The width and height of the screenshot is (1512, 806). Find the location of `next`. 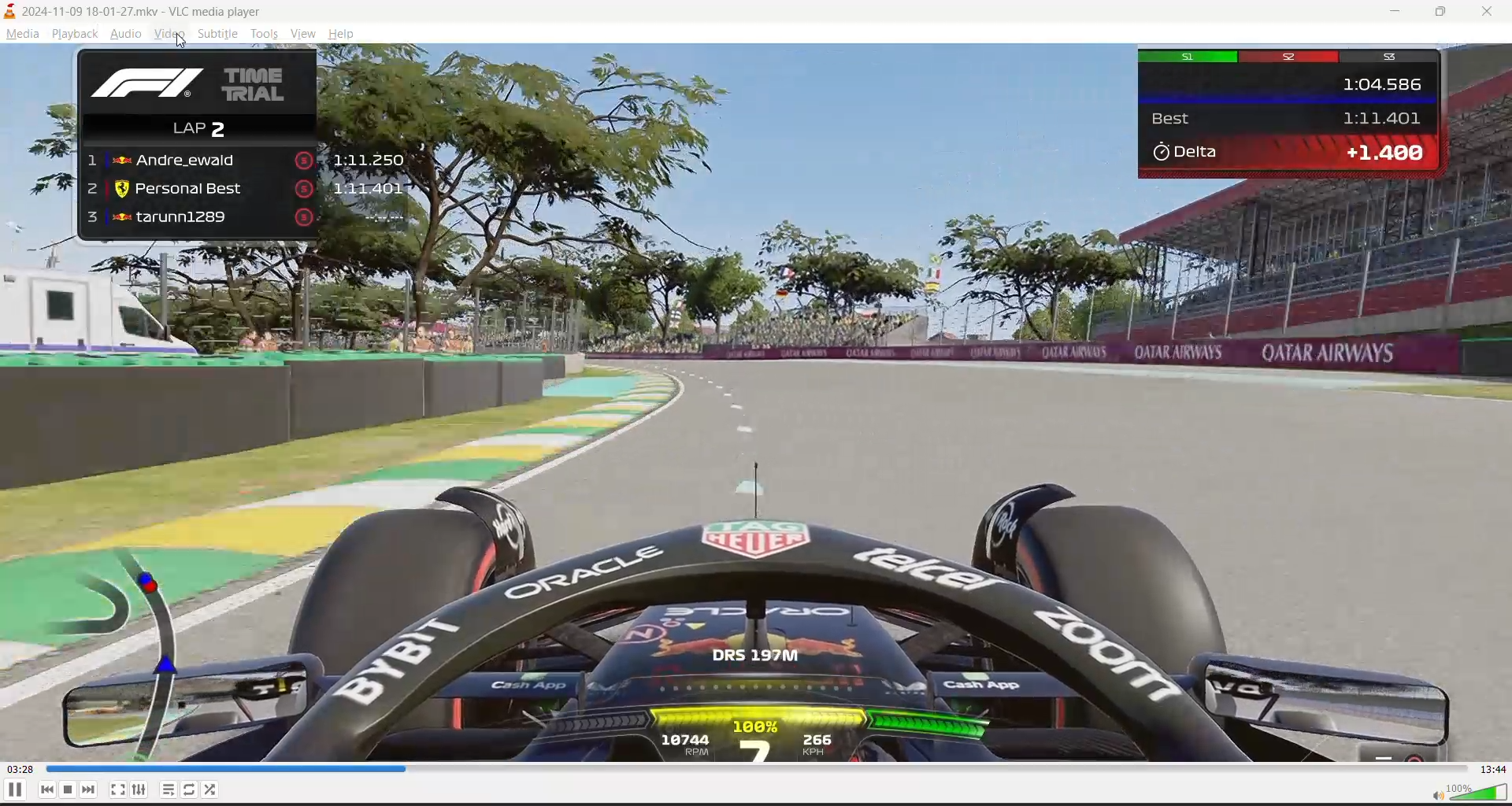

next is located at coordinates (91, 788).